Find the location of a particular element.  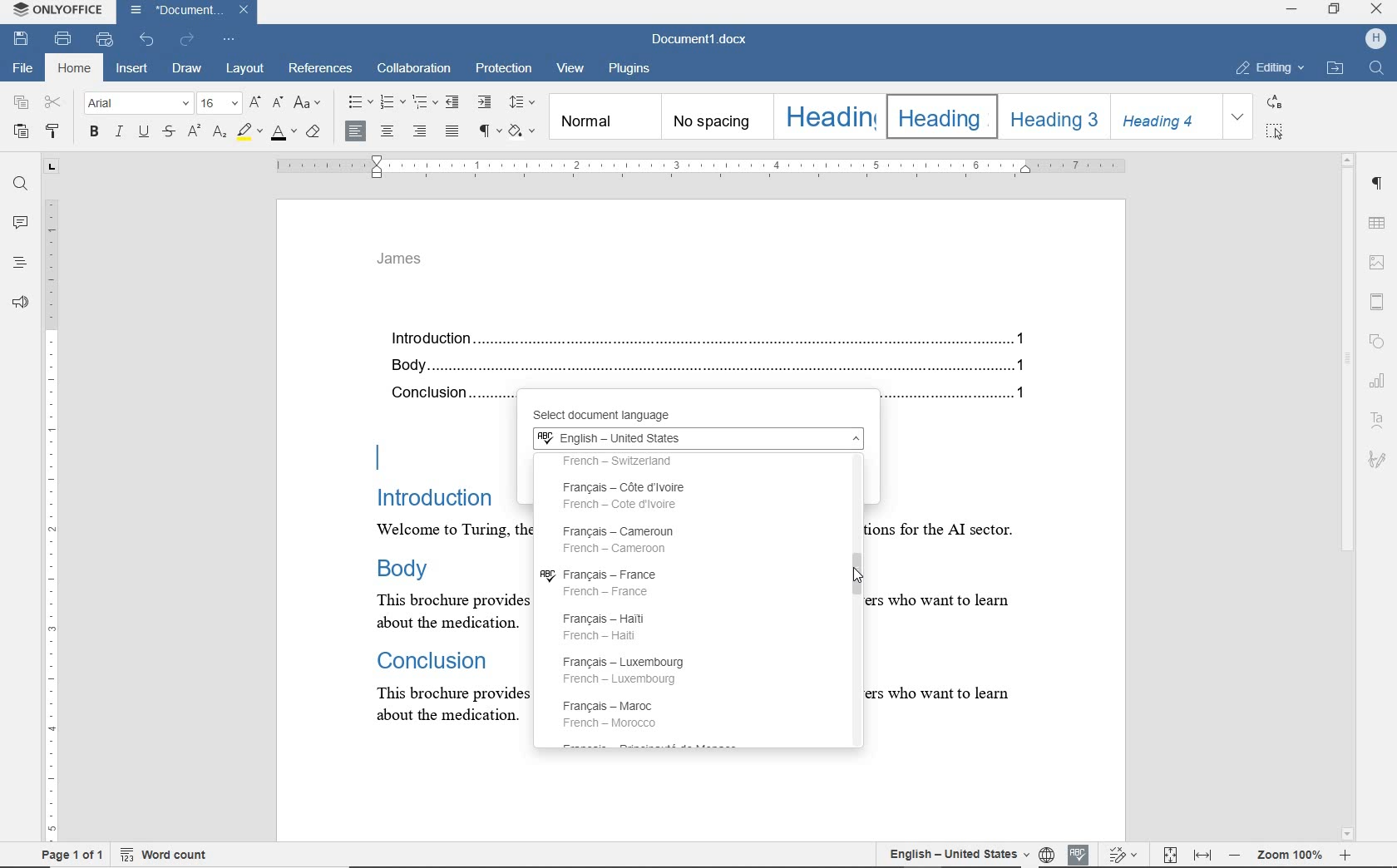

header & footer is located at coordinates (1380, 301).